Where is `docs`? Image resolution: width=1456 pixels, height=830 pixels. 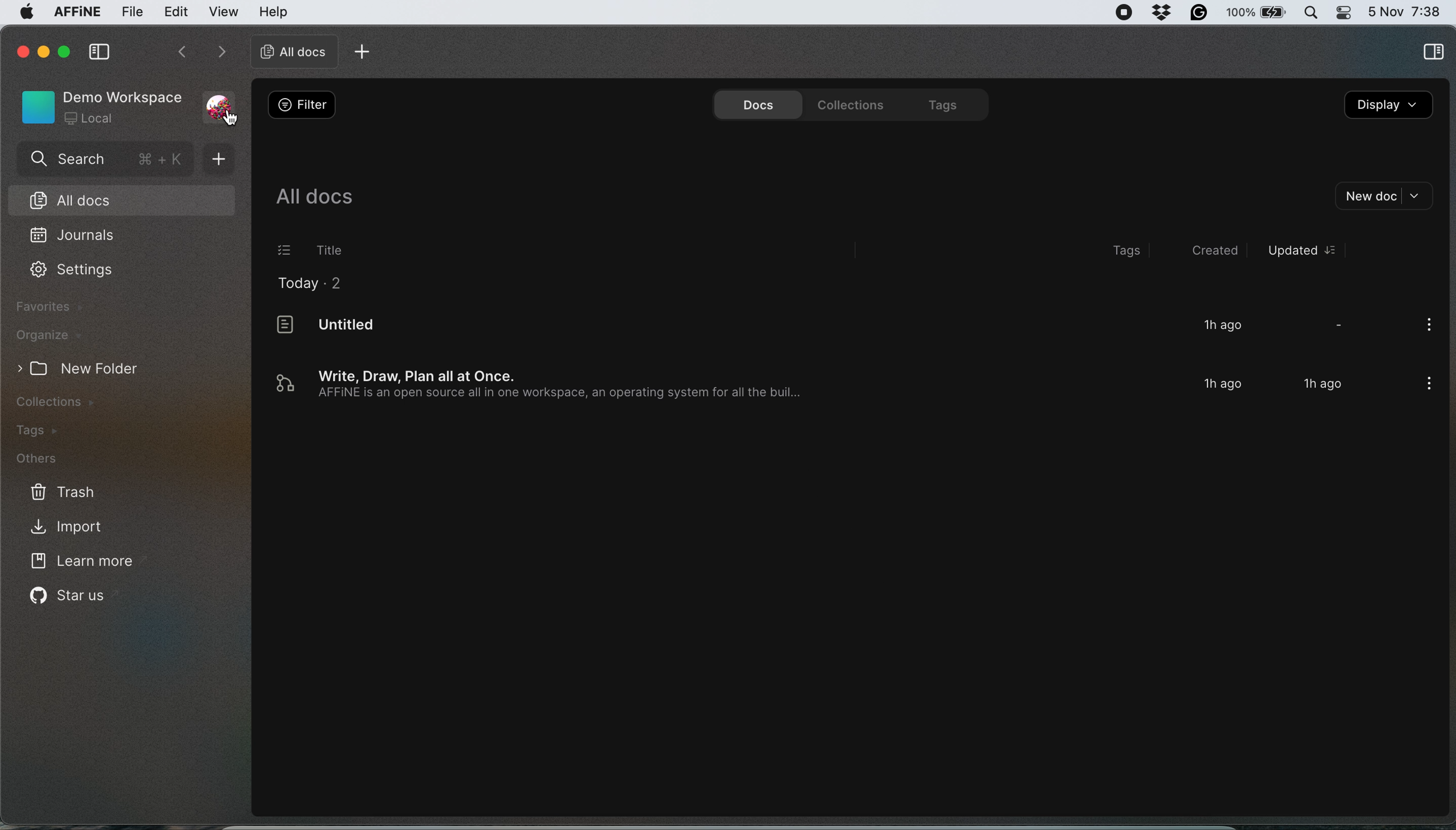 docs is located at coordinates (754, 103).